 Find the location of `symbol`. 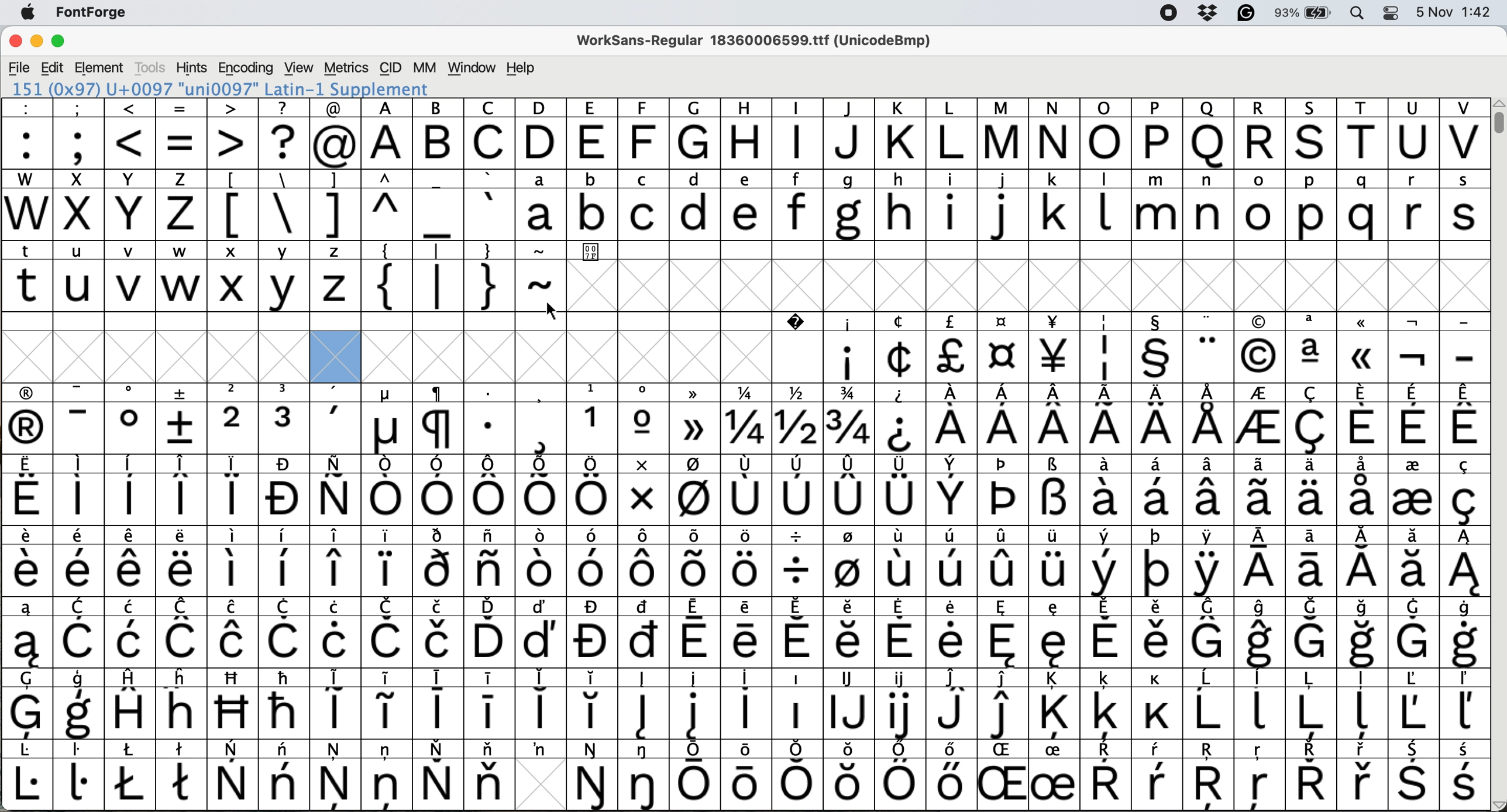

symbol is located at coordinates (1312, 562).